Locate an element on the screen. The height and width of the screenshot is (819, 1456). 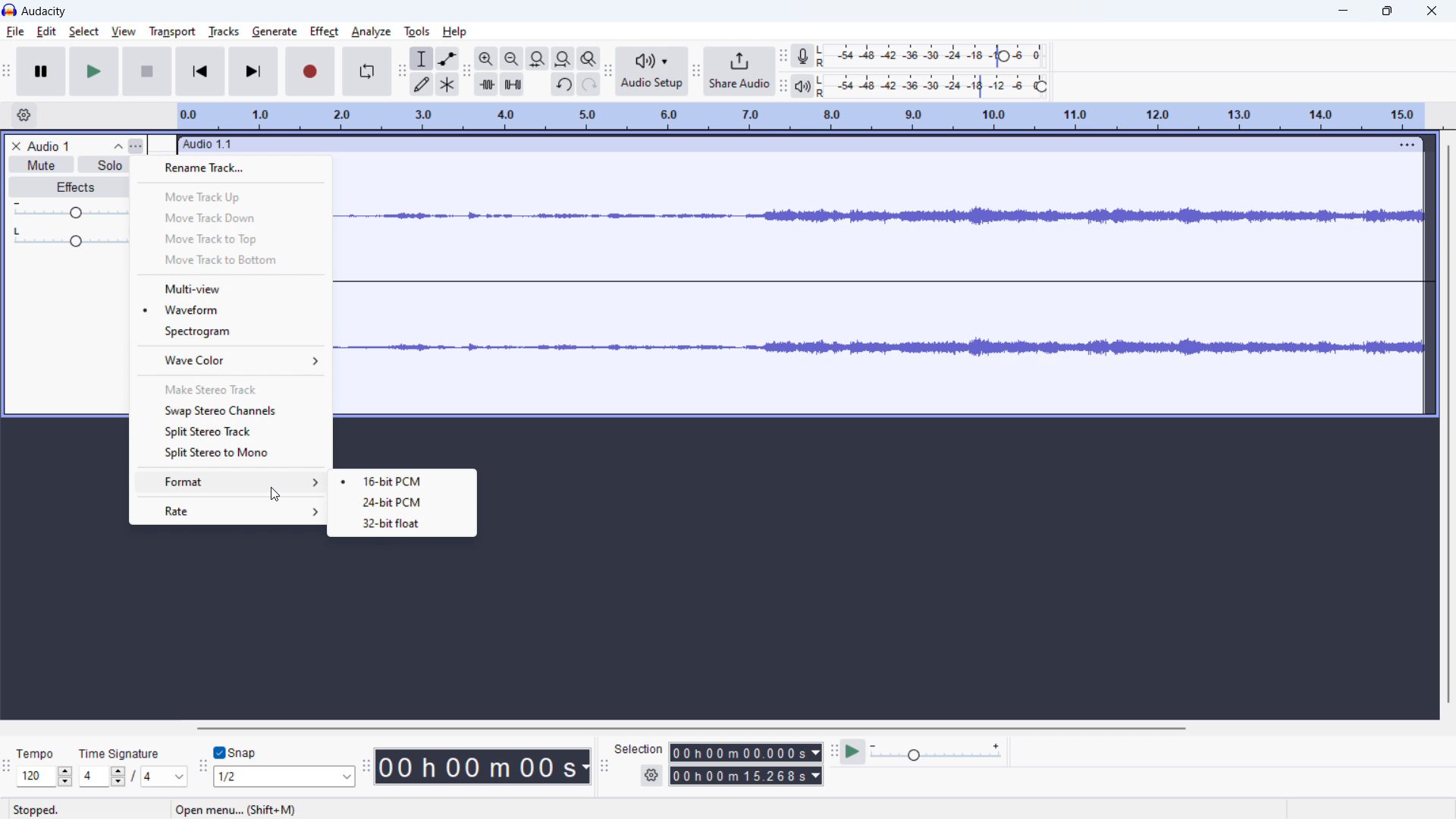
format is located at coordinates (227, 483).